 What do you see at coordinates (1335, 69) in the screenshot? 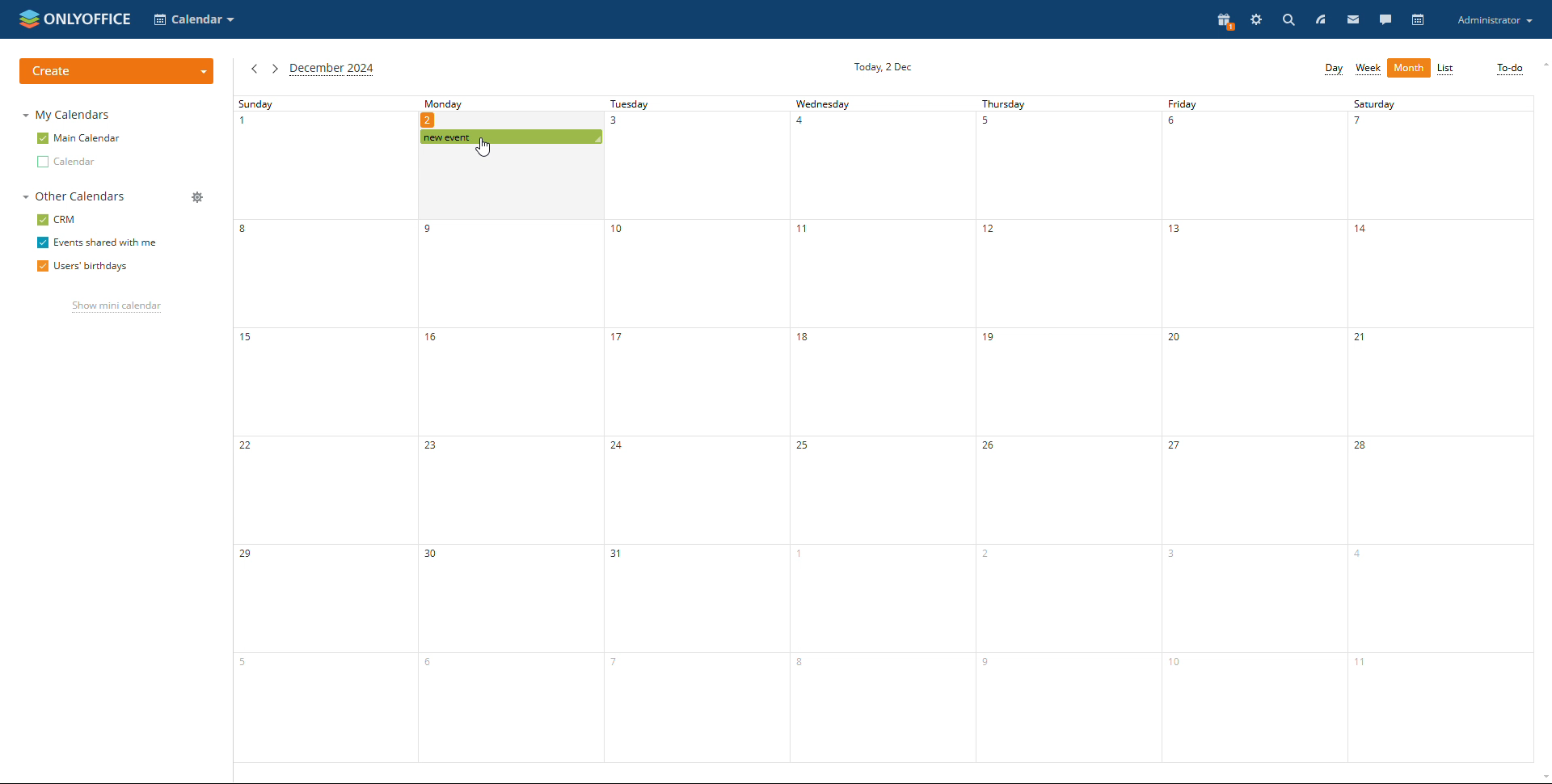
I see `day view` at bounding box center [1335, 69].